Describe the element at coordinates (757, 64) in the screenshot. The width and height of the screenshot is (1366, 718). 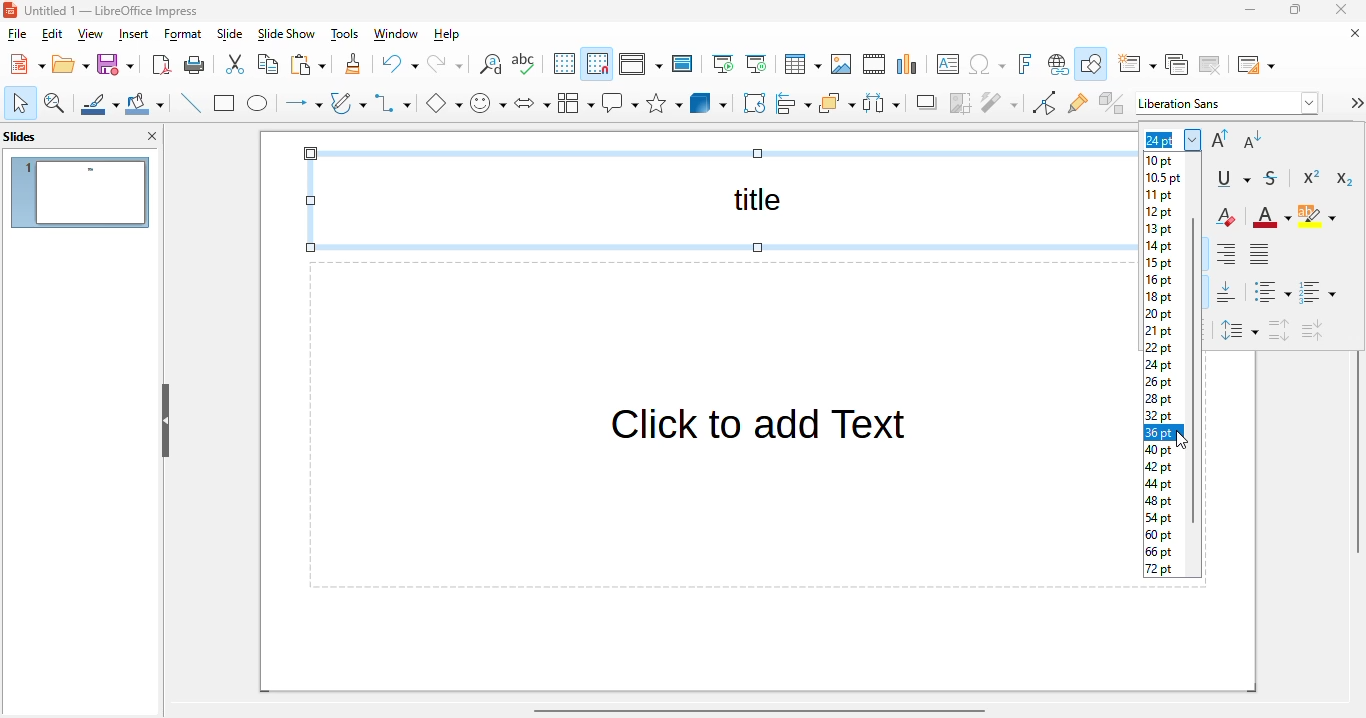
I see `start from current slide` at that location.